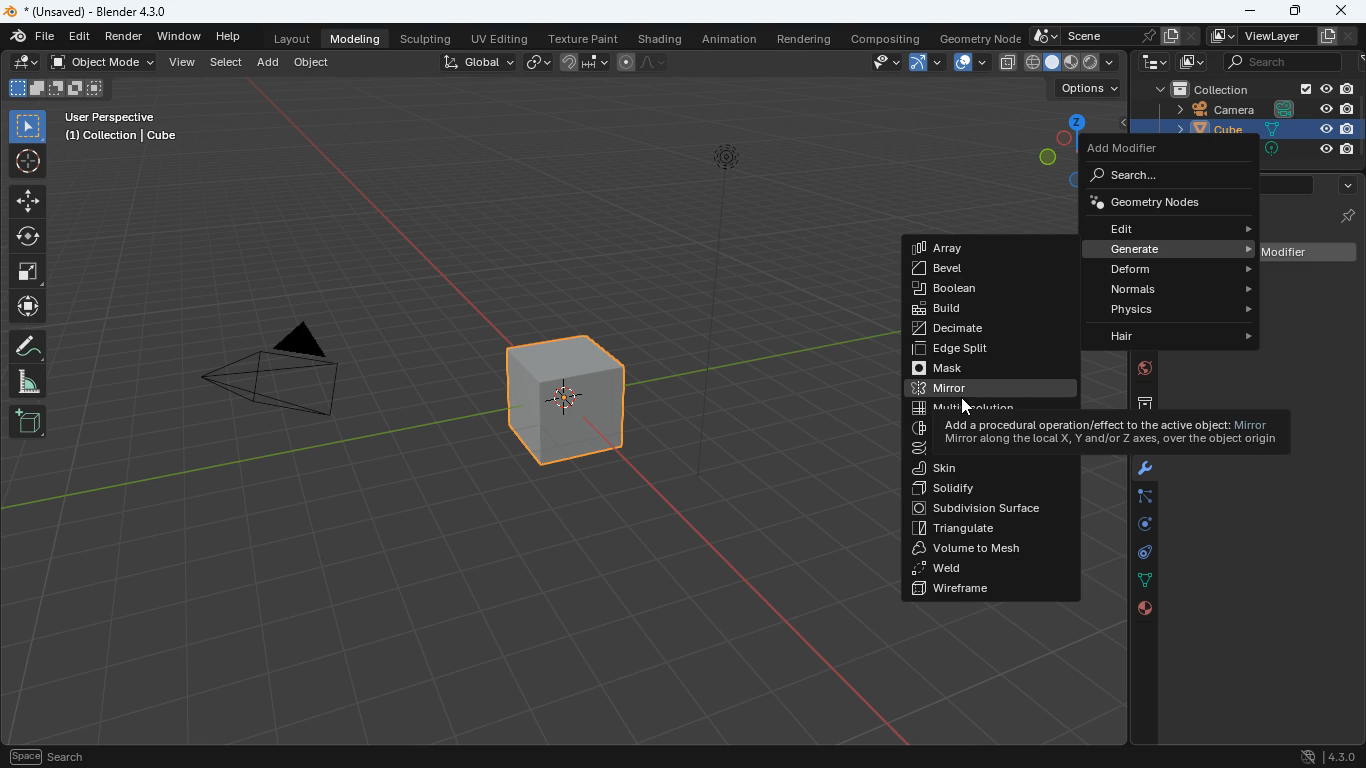 The height and width of the screenshot is (768, 1366). I want to click on viewlayer, so click(1255, 38).